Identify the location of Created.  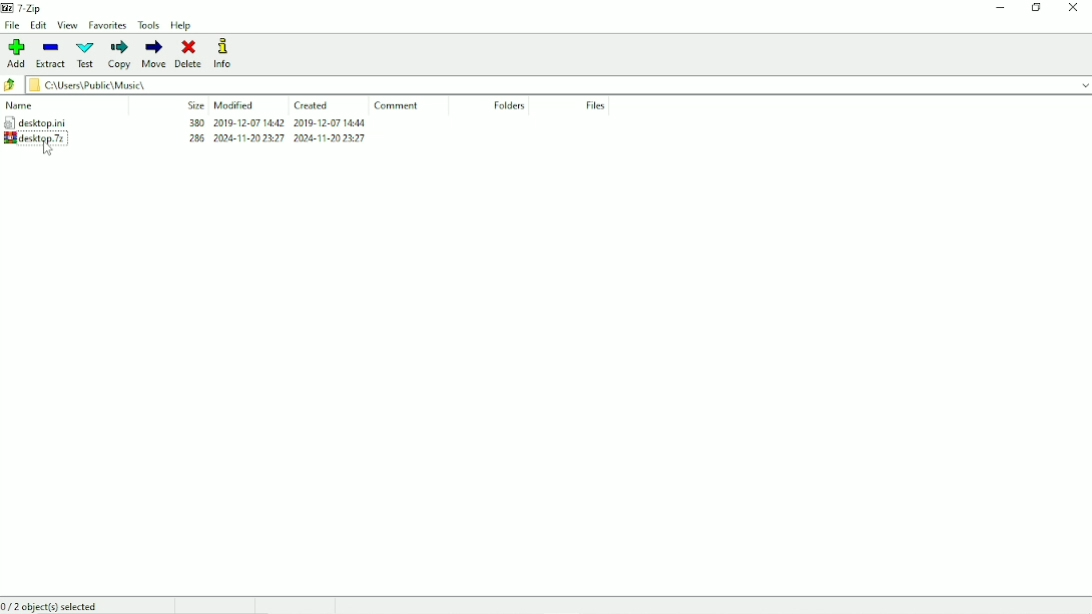
(312, 106).